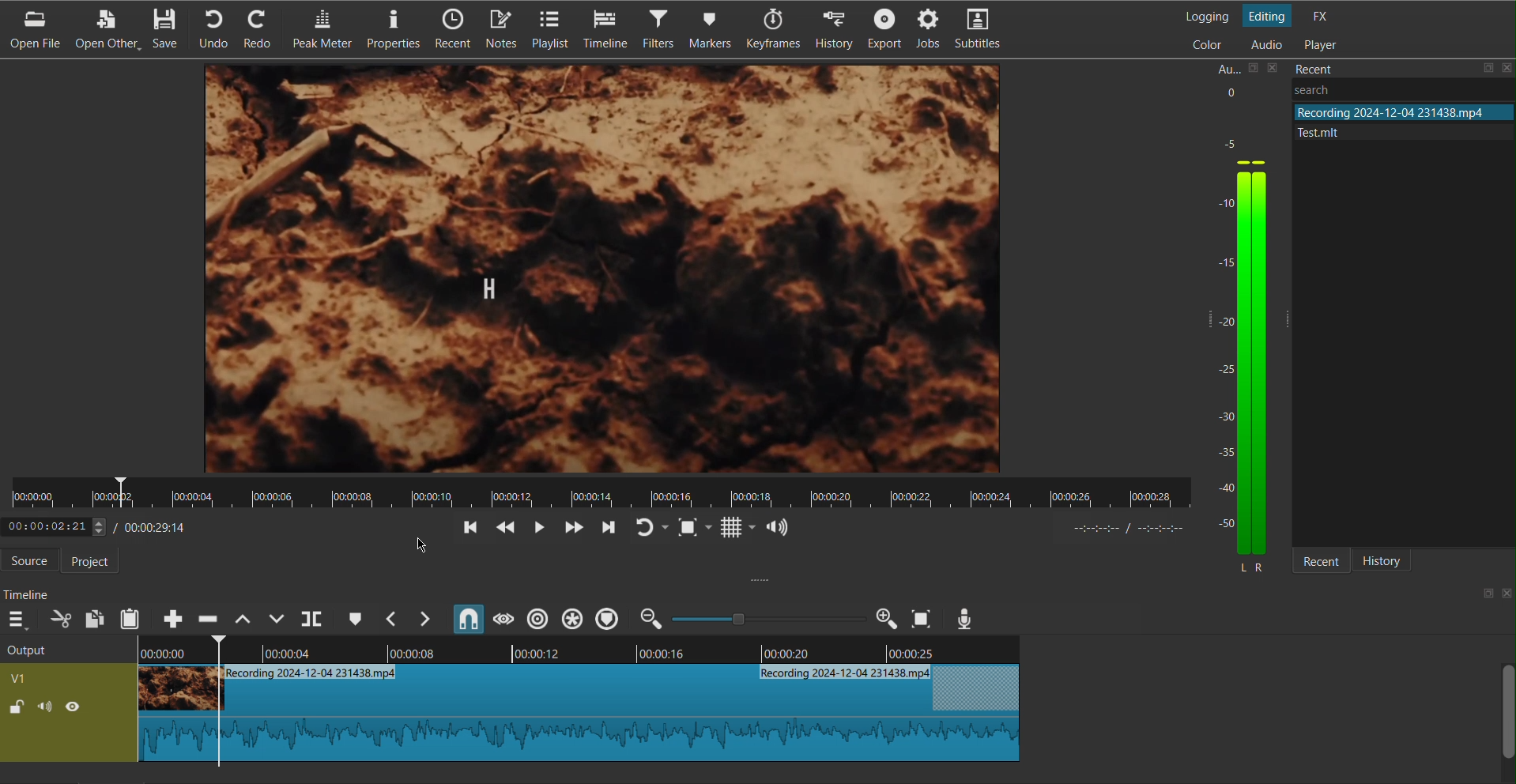 This screenshot has width=1516, height=784. Describe the element at coordinates (575, 716) in the screenshot. I see `Clip` at that location.